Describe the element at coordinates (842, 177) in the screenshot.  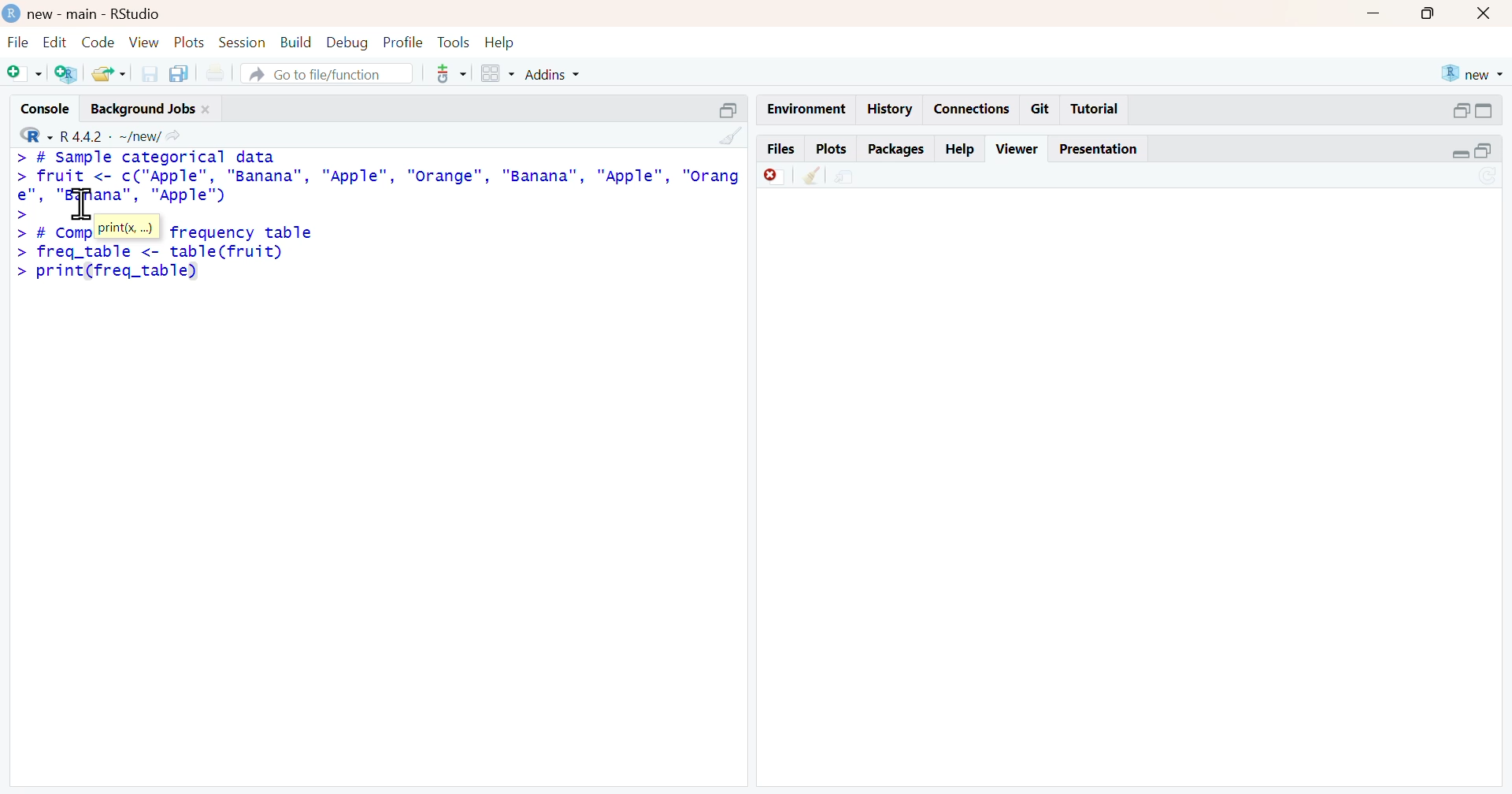
I see `show in new window` at that location.